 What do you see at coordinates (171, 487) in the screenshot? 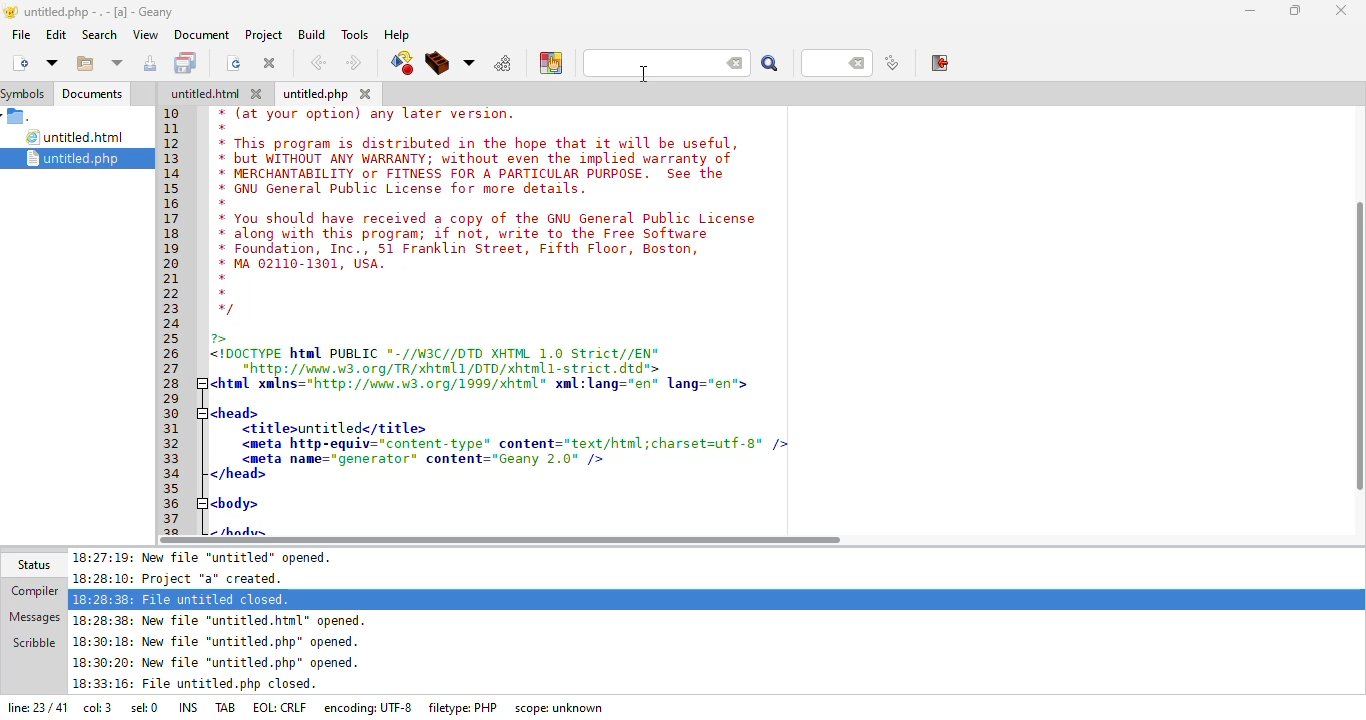
I see `35` at bounding box center [171, 487].